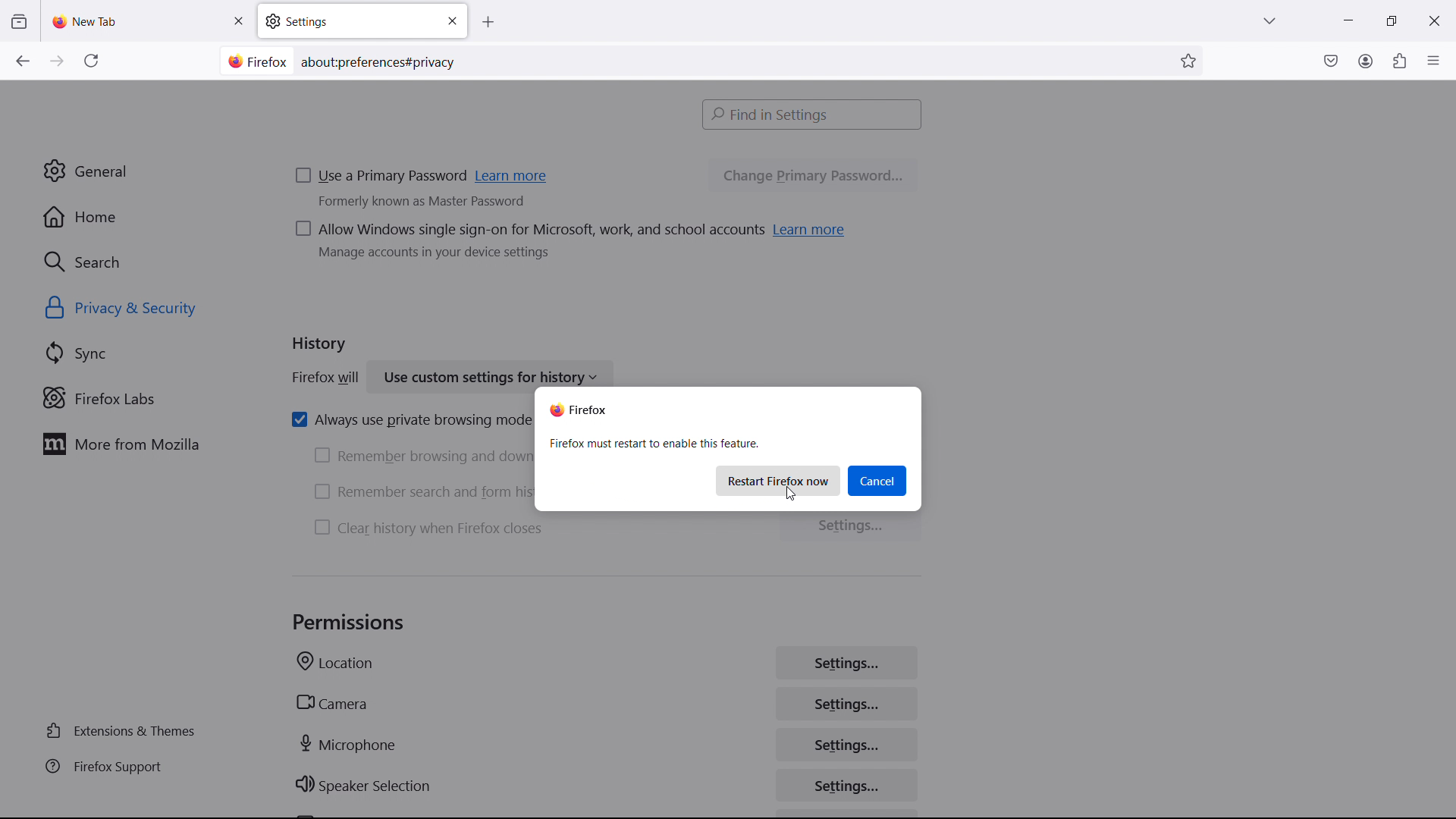  What do you see at coordinates (877, 481) in the screenshot?
I see `cancel` at bounding box center [877, 481].